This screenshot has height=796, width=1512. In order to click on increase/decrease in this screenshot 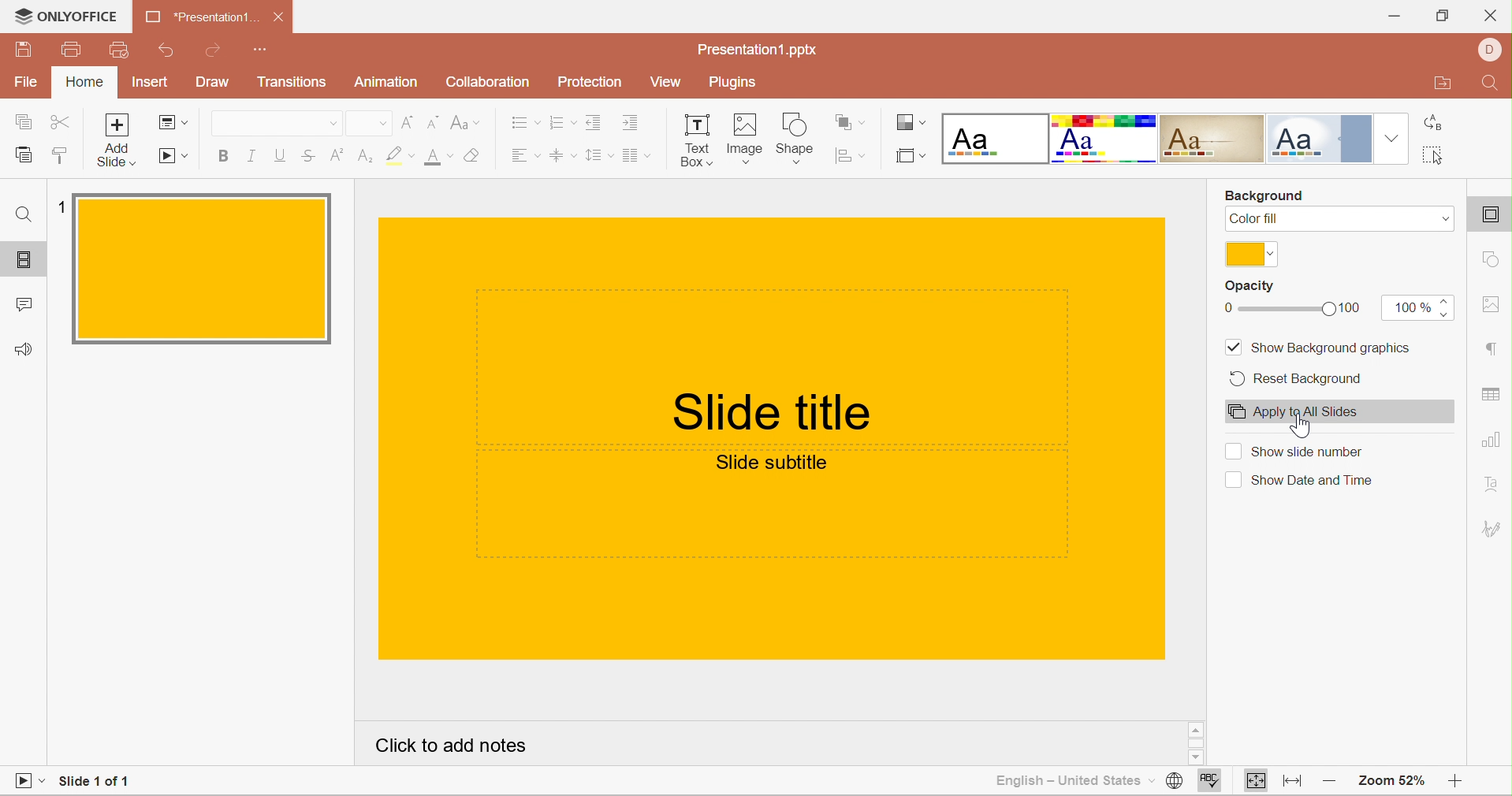, I will do `click(1443, 308)`.